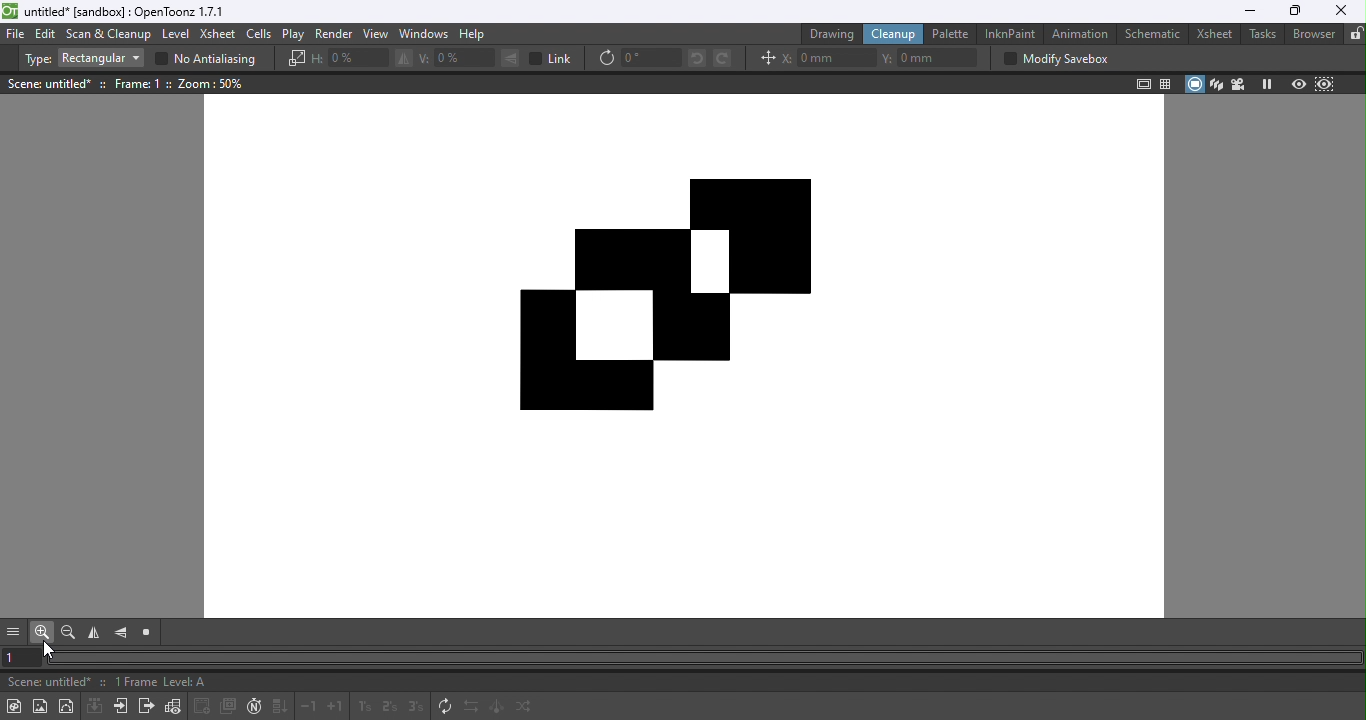 The image size is (1366, 720). Describe the element at coordinates (295, 60) in the screenshot. I see `Scale` at that location.